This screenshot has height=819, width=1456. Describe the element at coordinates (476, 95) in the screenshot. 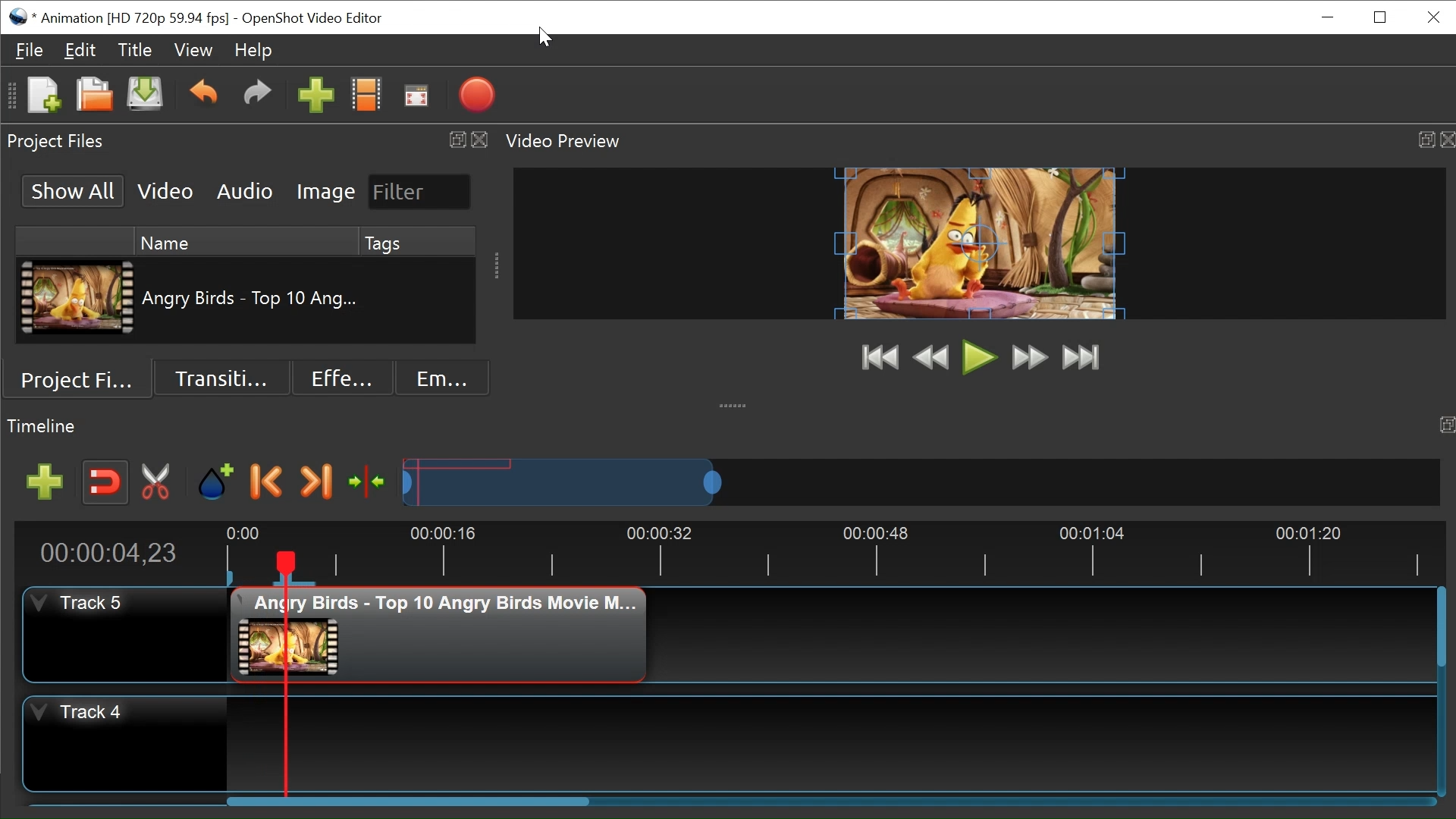

I see `Export Video` at that location.